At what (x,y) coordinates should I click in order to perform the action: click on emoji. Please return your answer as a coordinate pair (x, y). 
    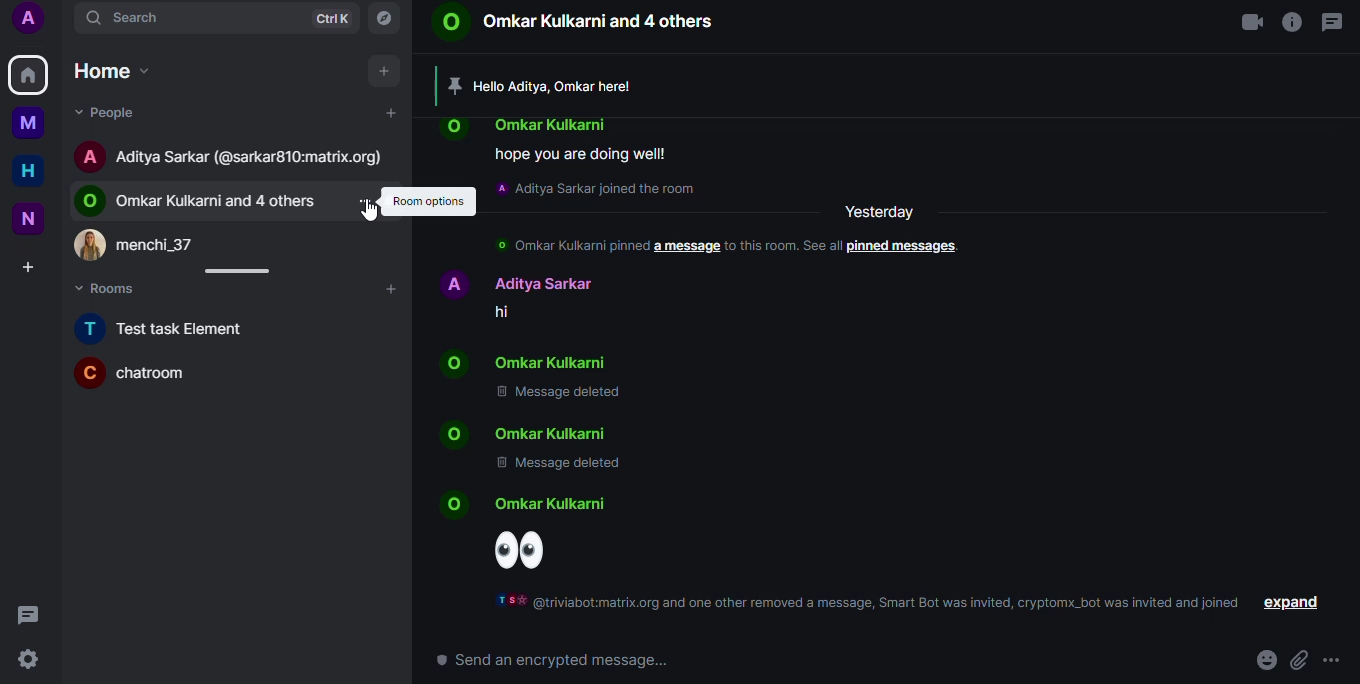
    Looking at the image, I should click on (1263, 661).